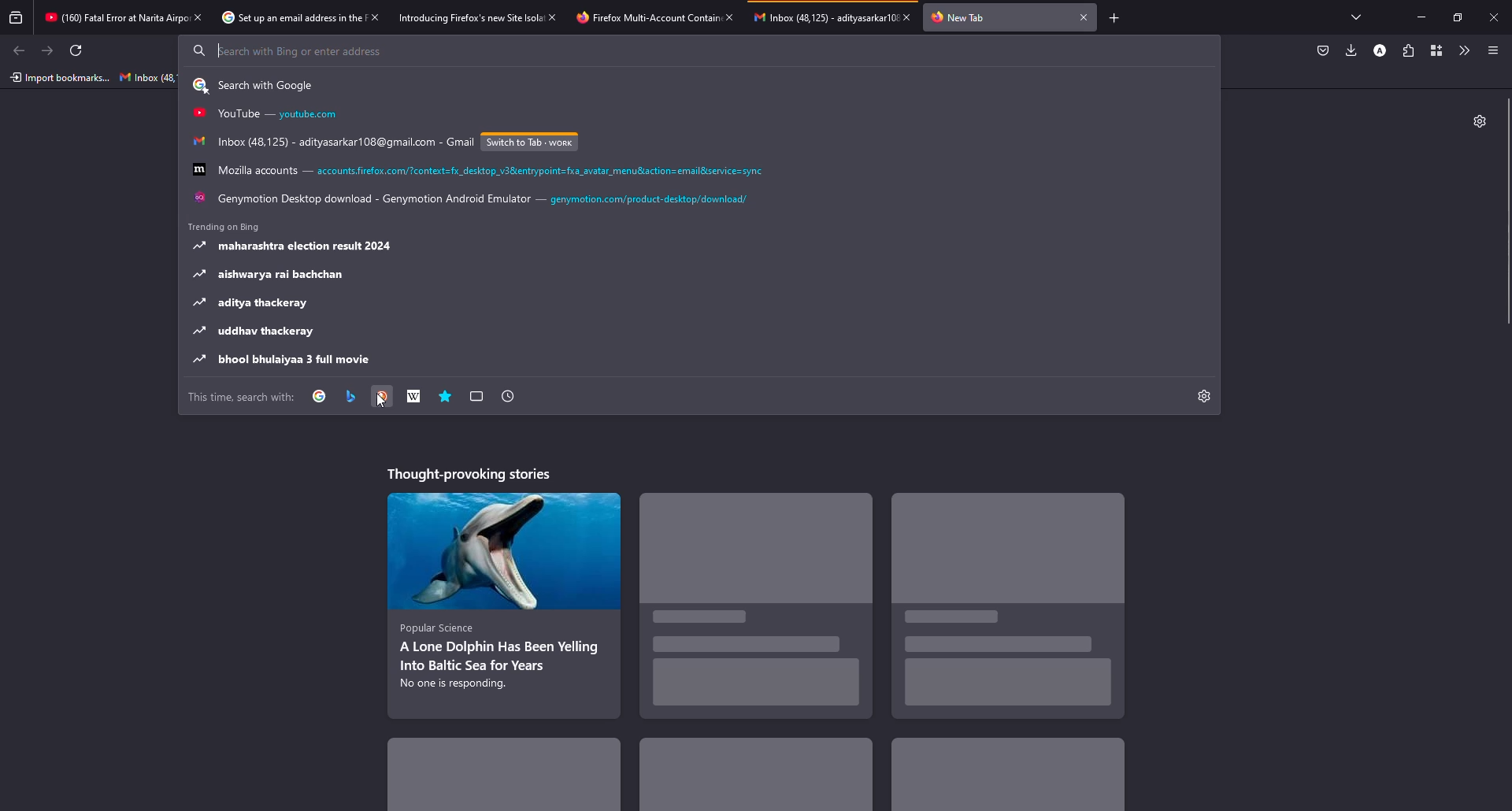 The width and height of the screenshot is (1512, 811). I want to click on search options, so click(478, 170).